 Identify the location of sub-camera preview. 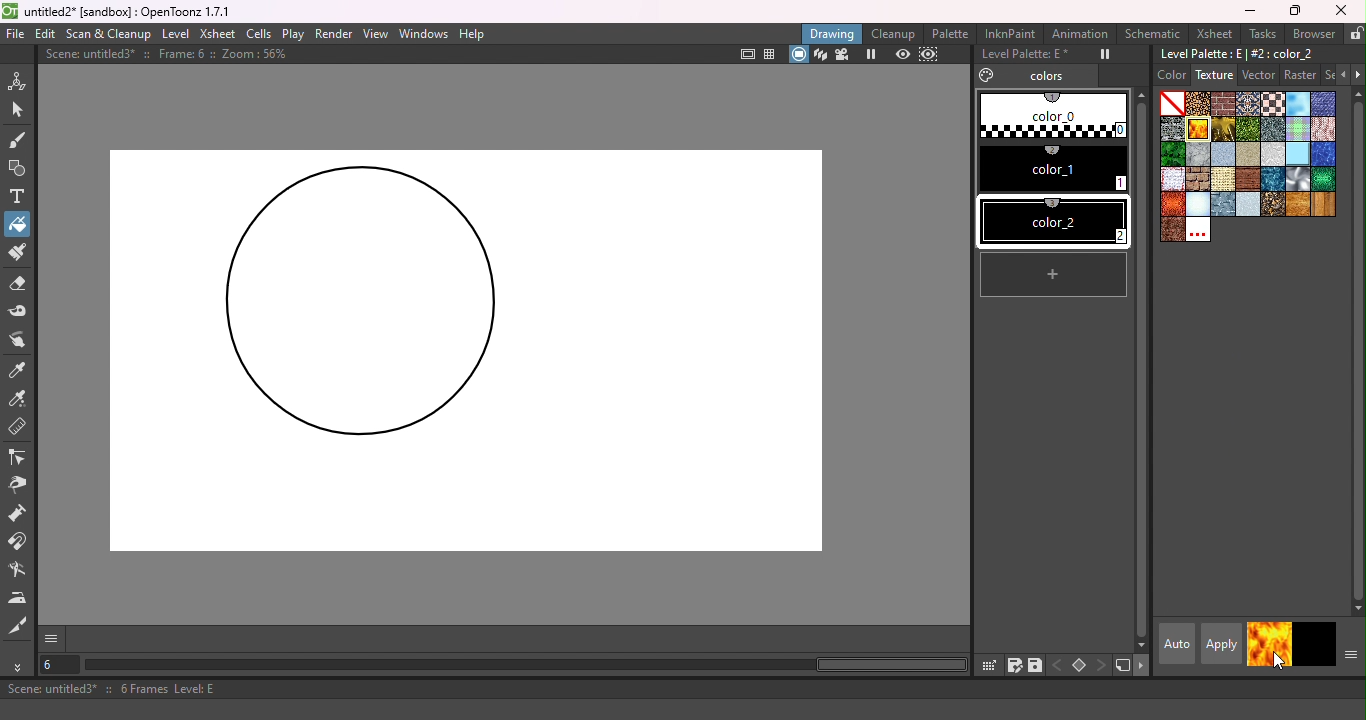
(929, 54).